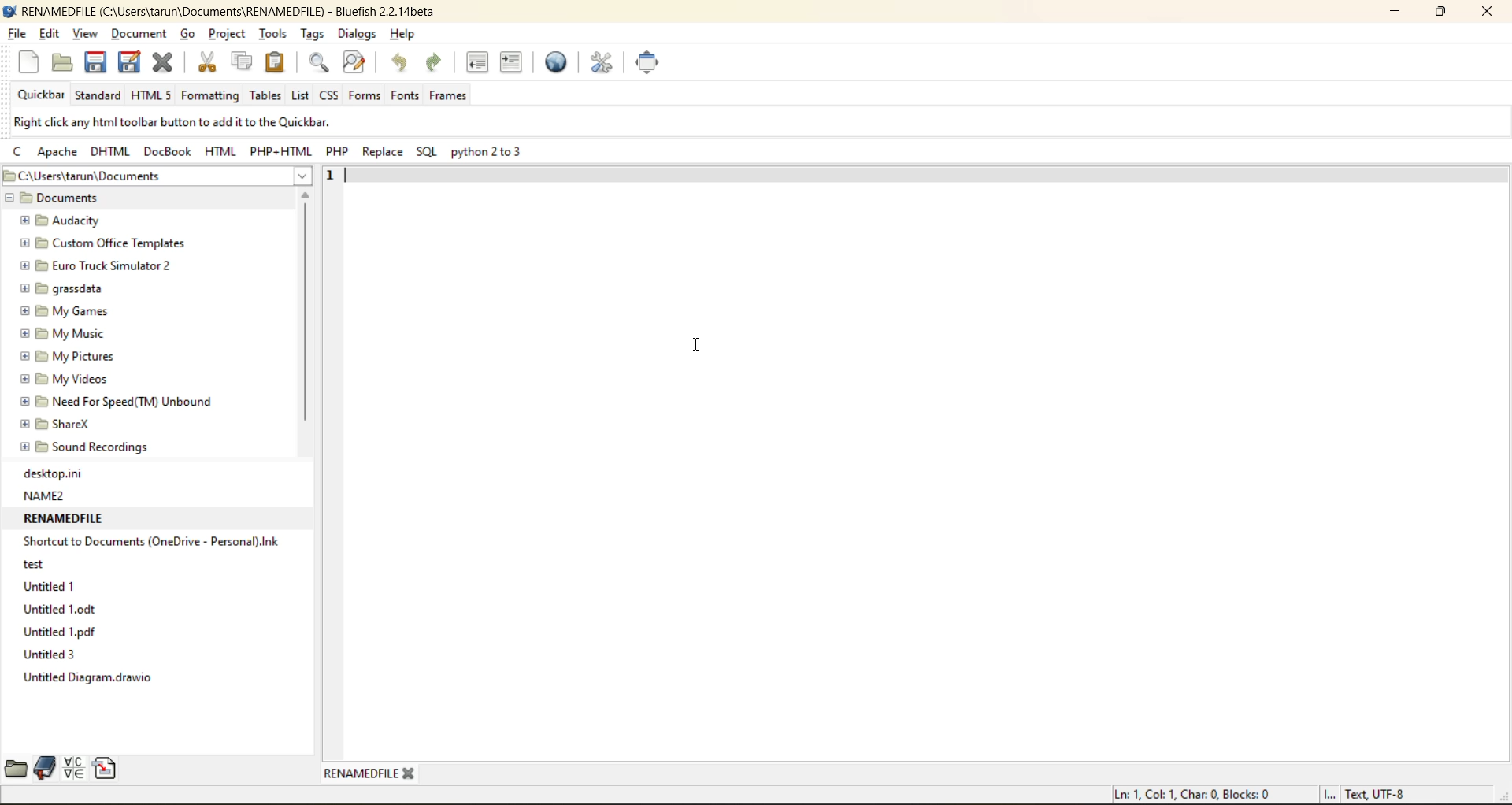  Describe the element at coordinates (699, 348) in the screenshot. I see `cursor` at that location.